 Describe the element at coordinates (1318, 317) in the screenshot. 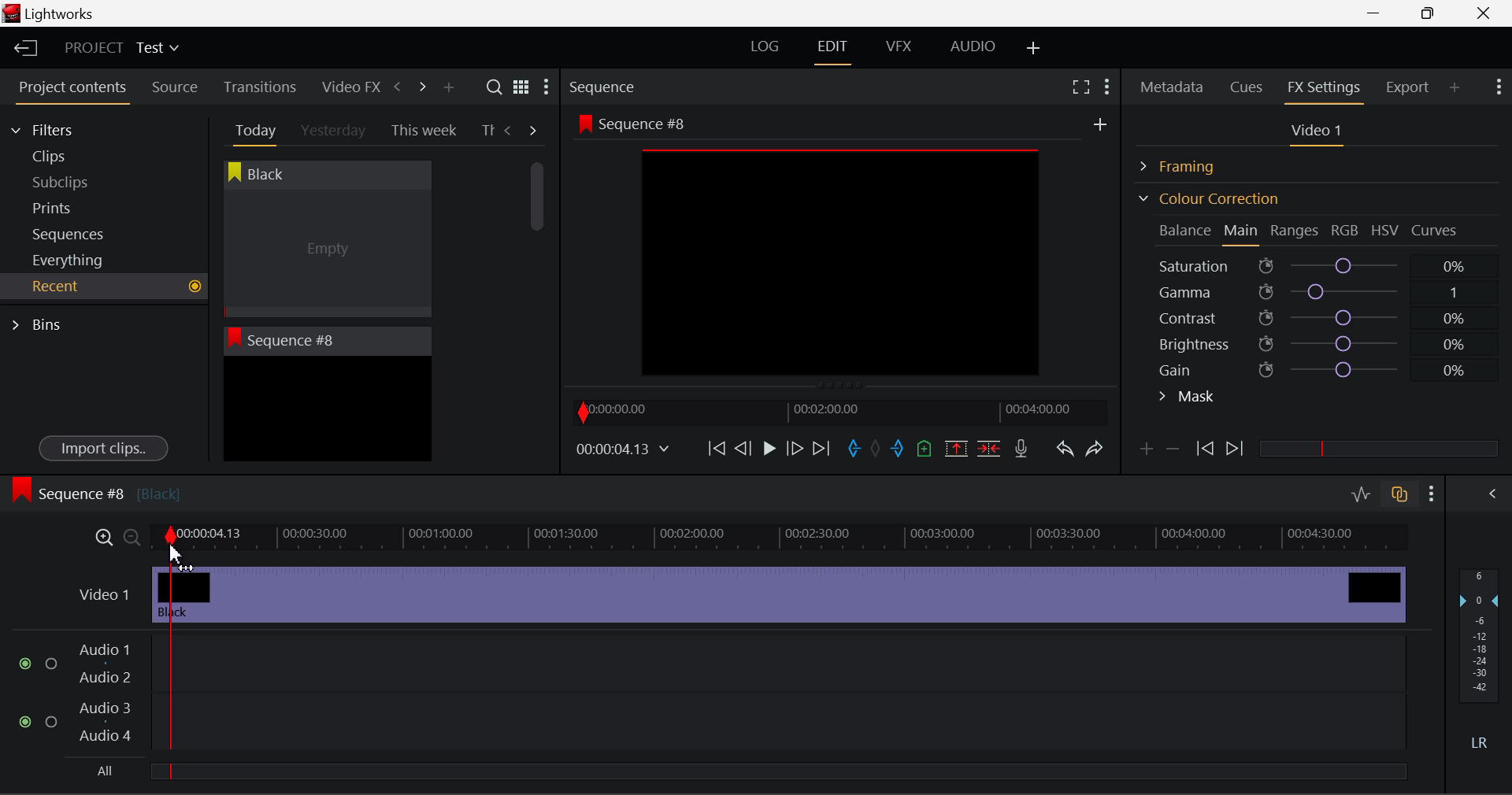

I see `Contrast` at that location.